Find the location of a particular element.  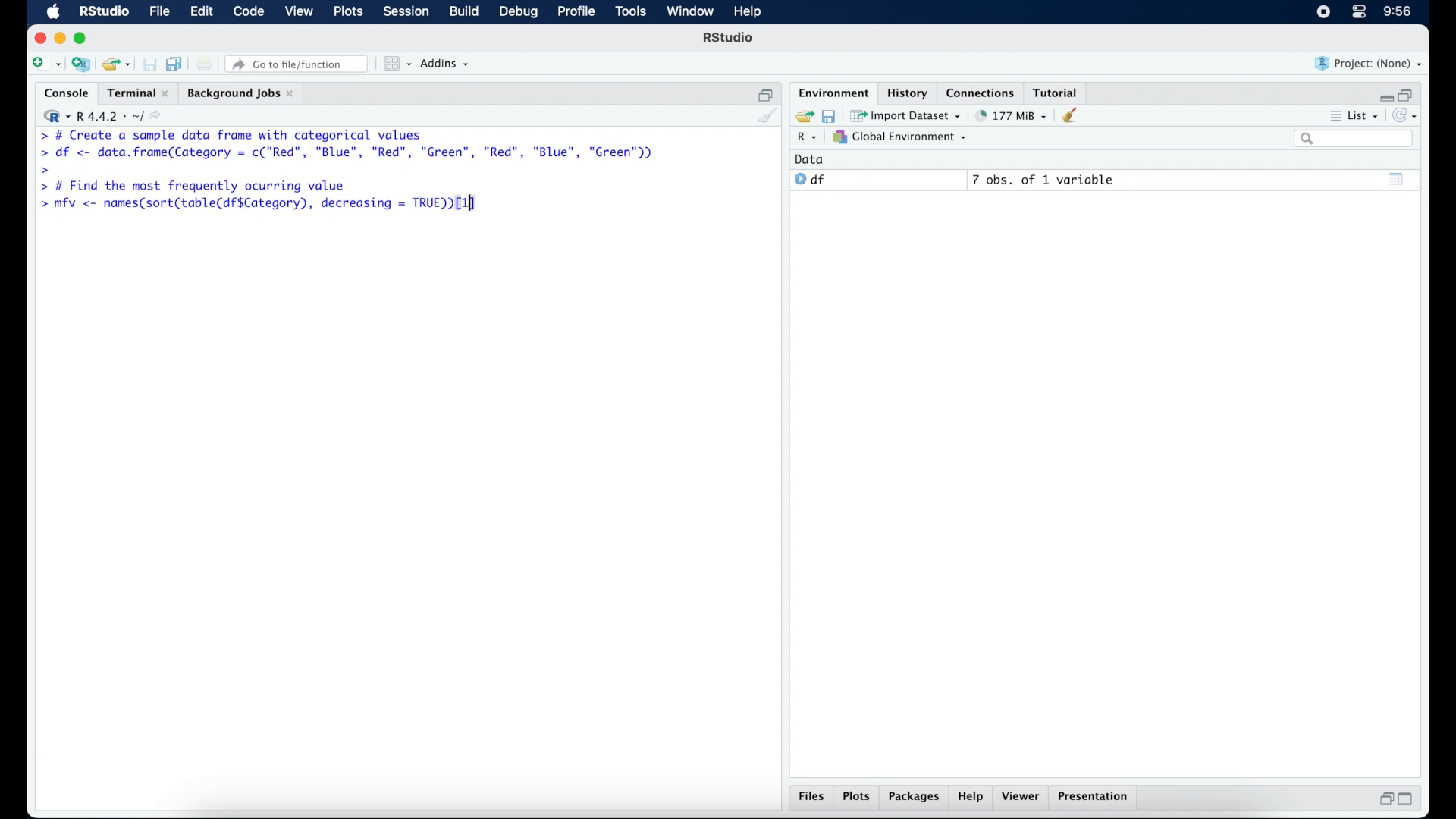

command prompt is located at coordinates (45, 169).